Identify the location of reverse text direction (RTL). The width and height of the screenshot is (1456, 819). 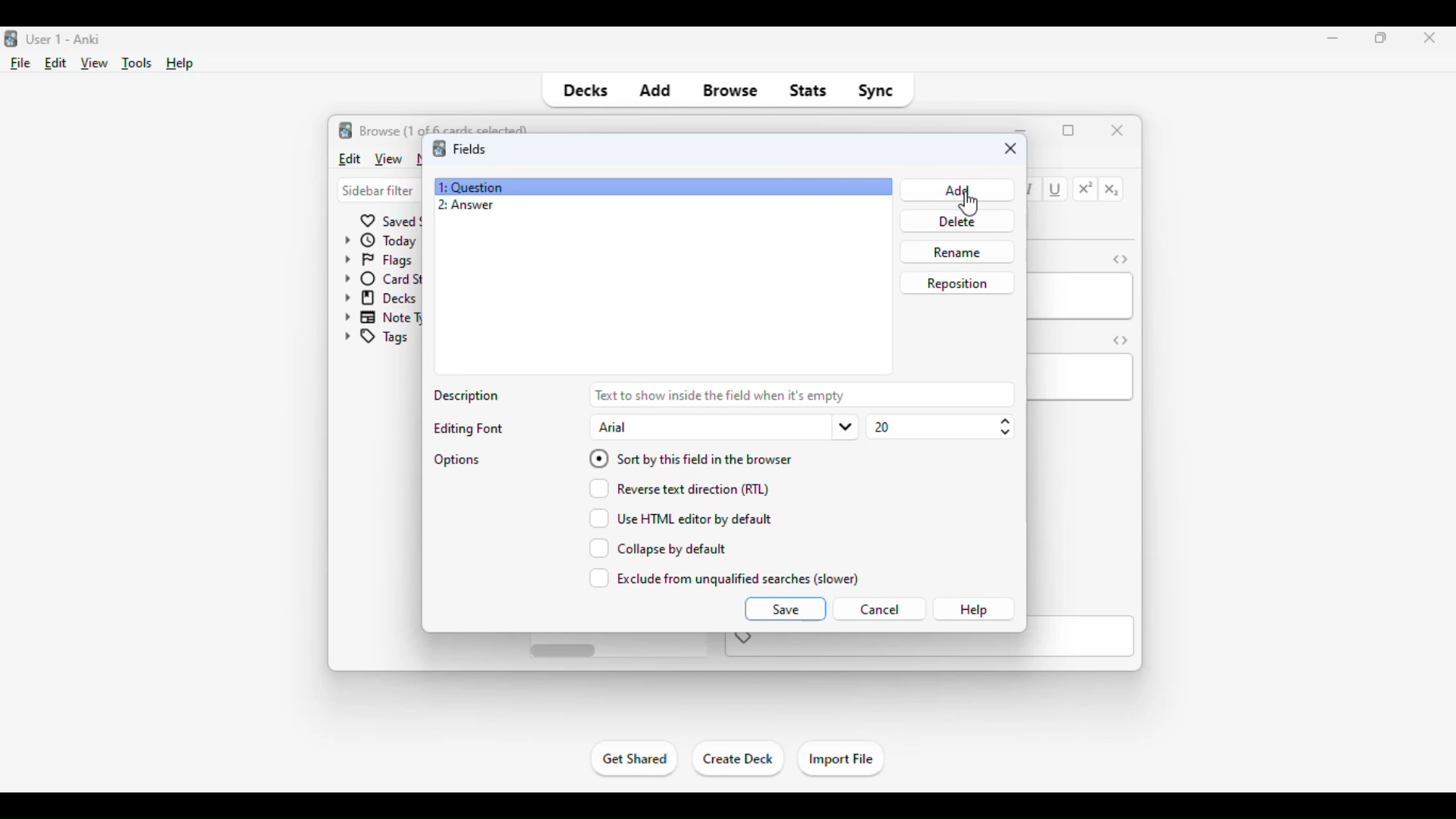
(679, 488).